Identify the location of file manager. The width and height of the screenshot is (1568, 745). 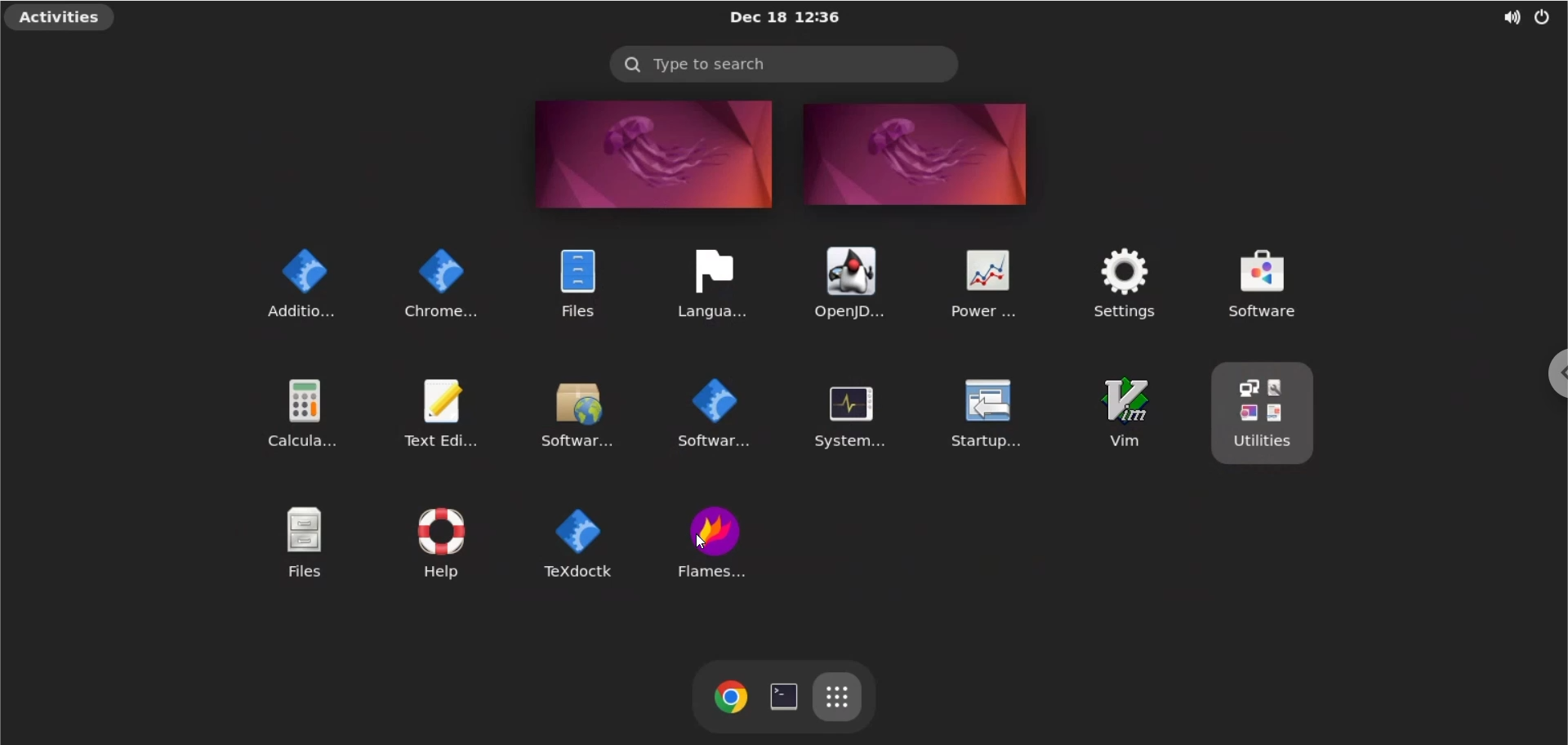
(570, 279).